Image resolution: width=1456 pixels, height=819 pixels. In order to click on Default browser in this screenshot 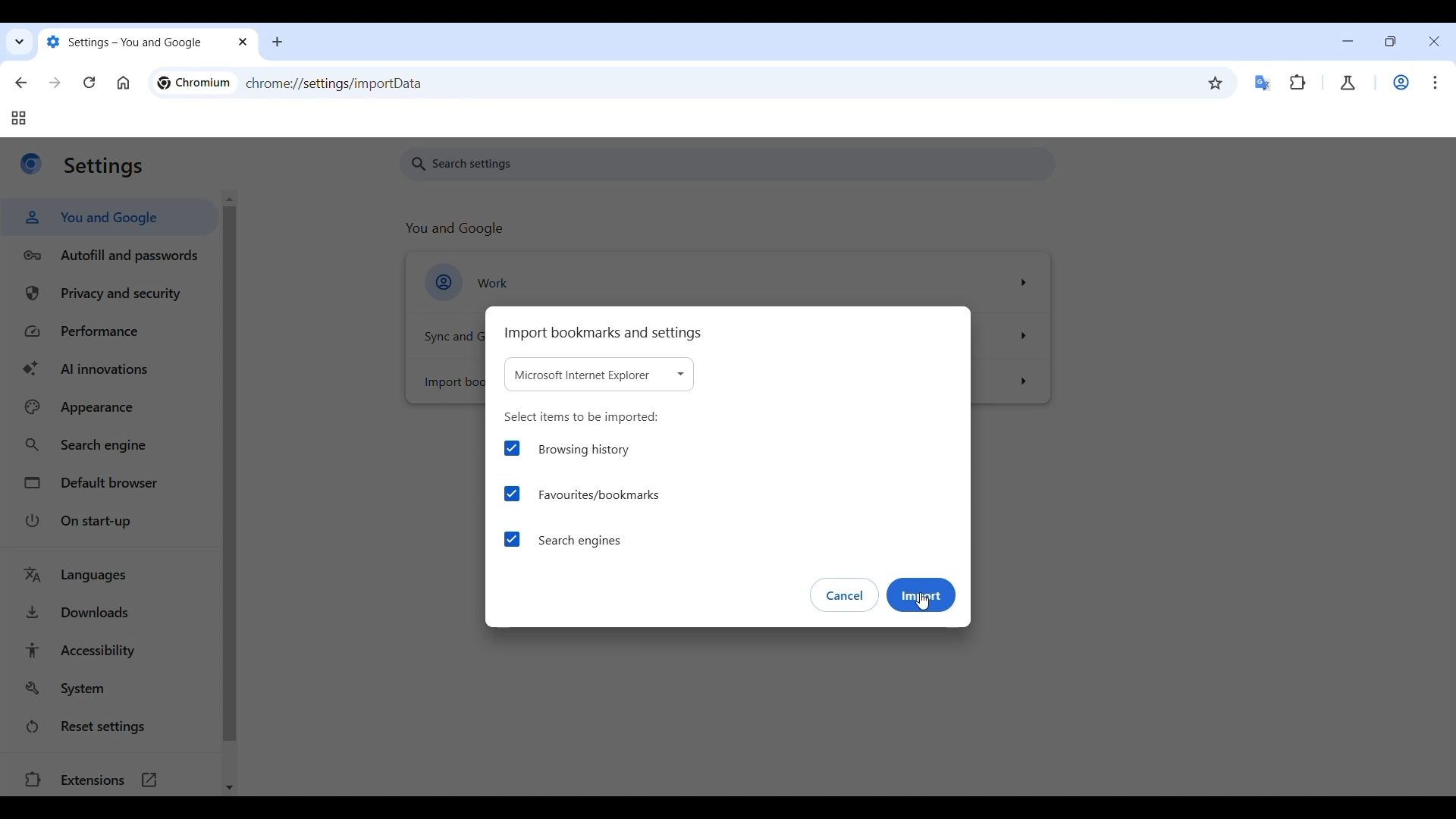, I will do `click(111, 482)`.